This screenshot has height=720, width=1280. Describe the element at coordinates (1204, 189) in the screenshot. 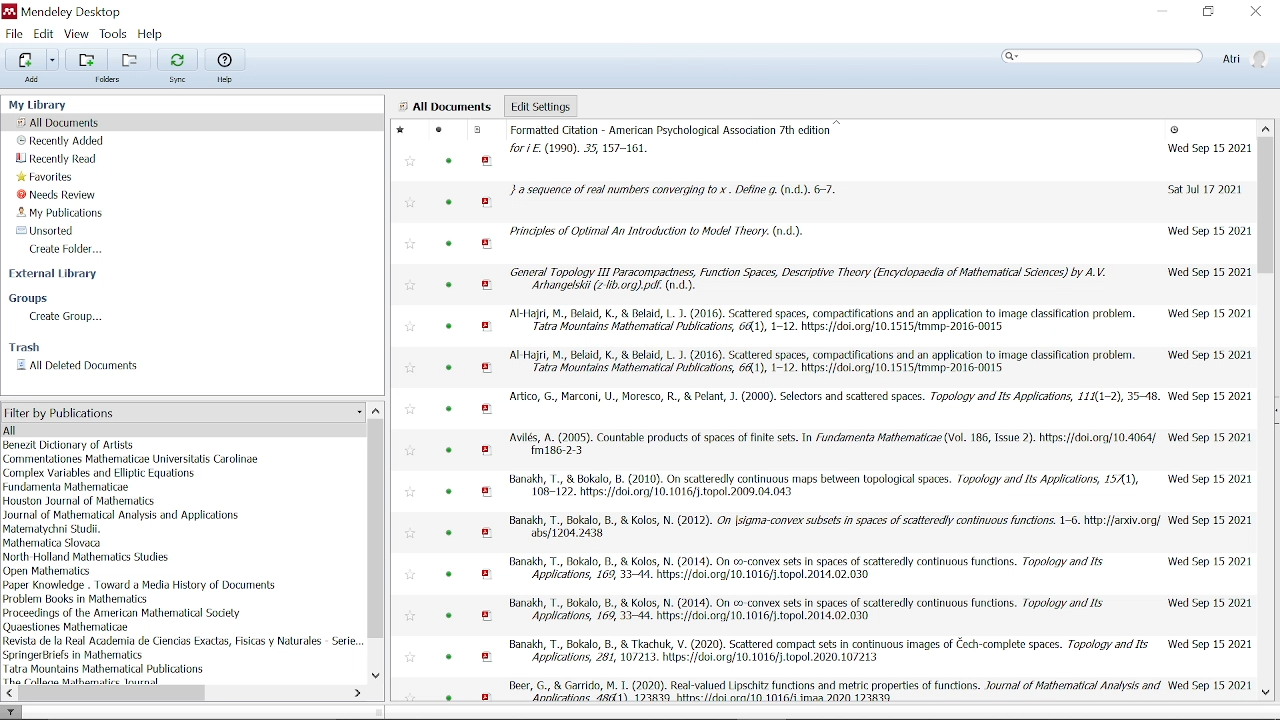

I see `date time` at that location.